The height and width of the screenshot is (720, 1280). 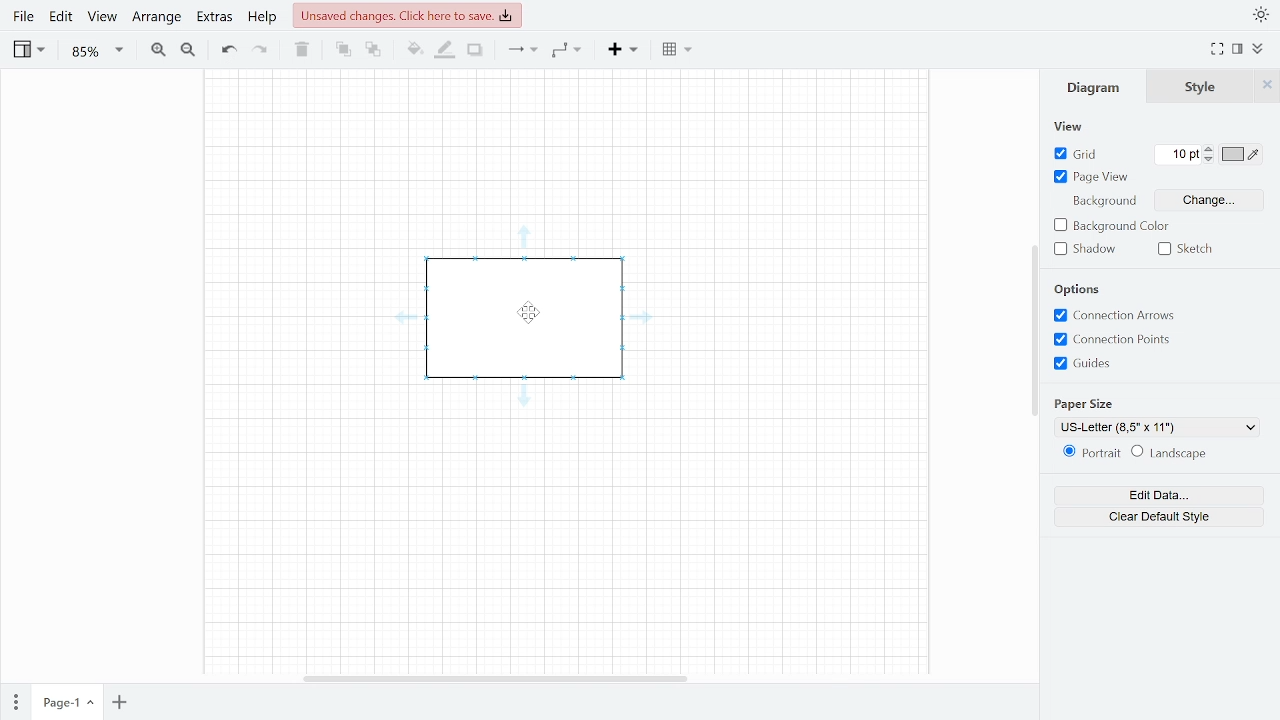 I want to click on Grid, so click(x=1080, y=154).